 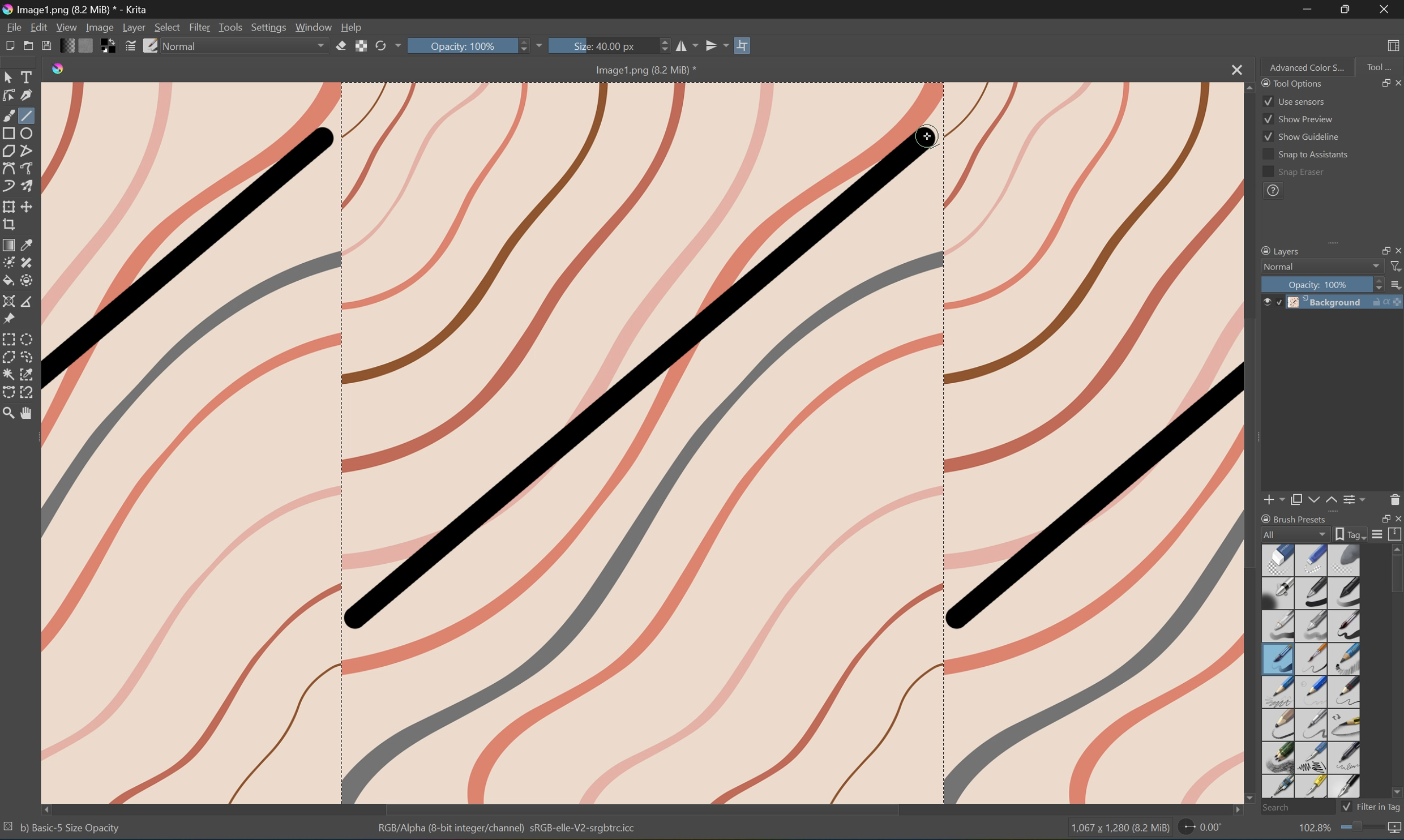 What do you see at coordinates (1312, 499) in the screenshot?
I see `Move layer or mask down` at bounding box center [1312, 499].